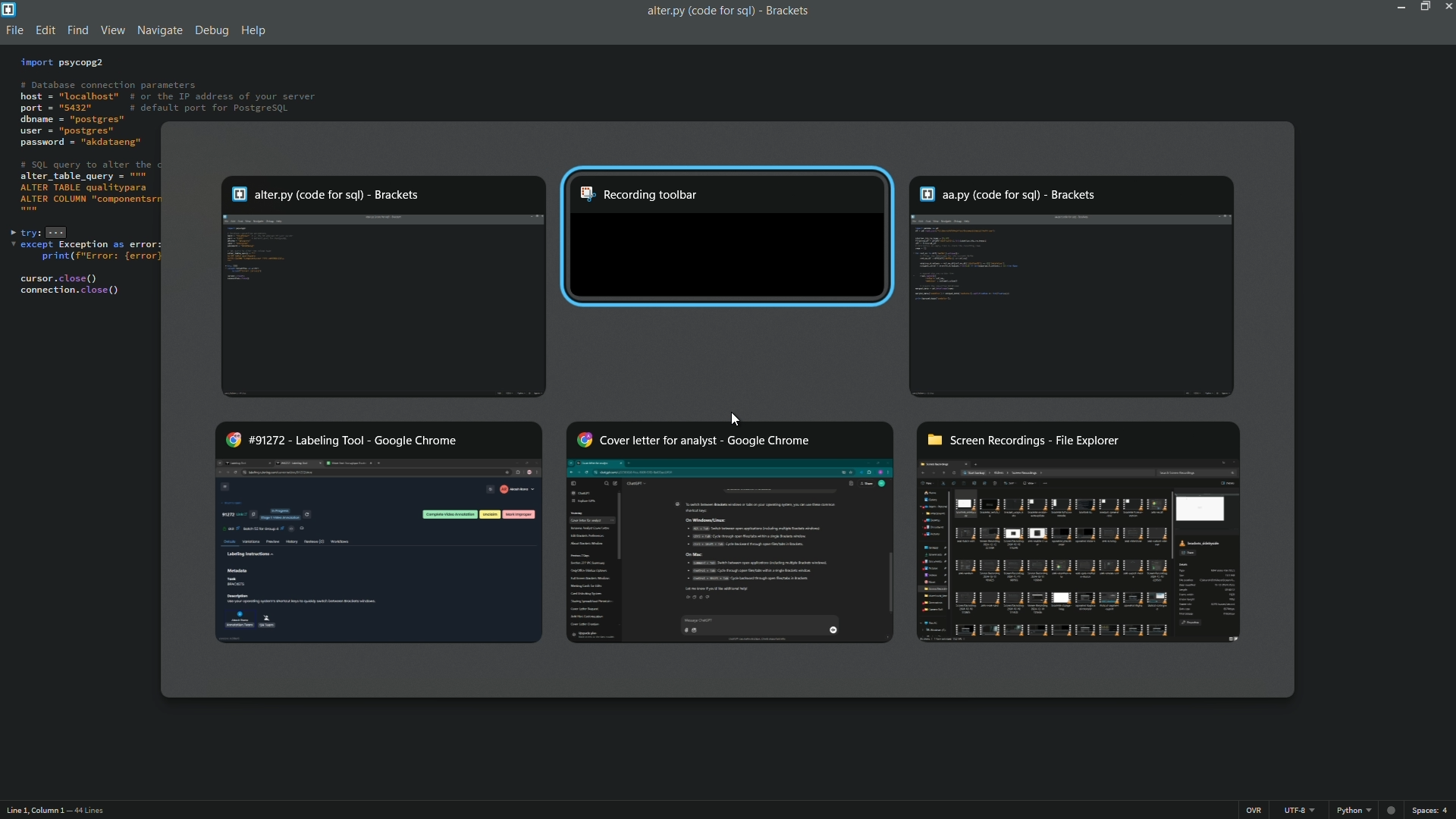 The width and height of the screenshot is (1456, 819). I want to click on space 4, so click(1432, 810).